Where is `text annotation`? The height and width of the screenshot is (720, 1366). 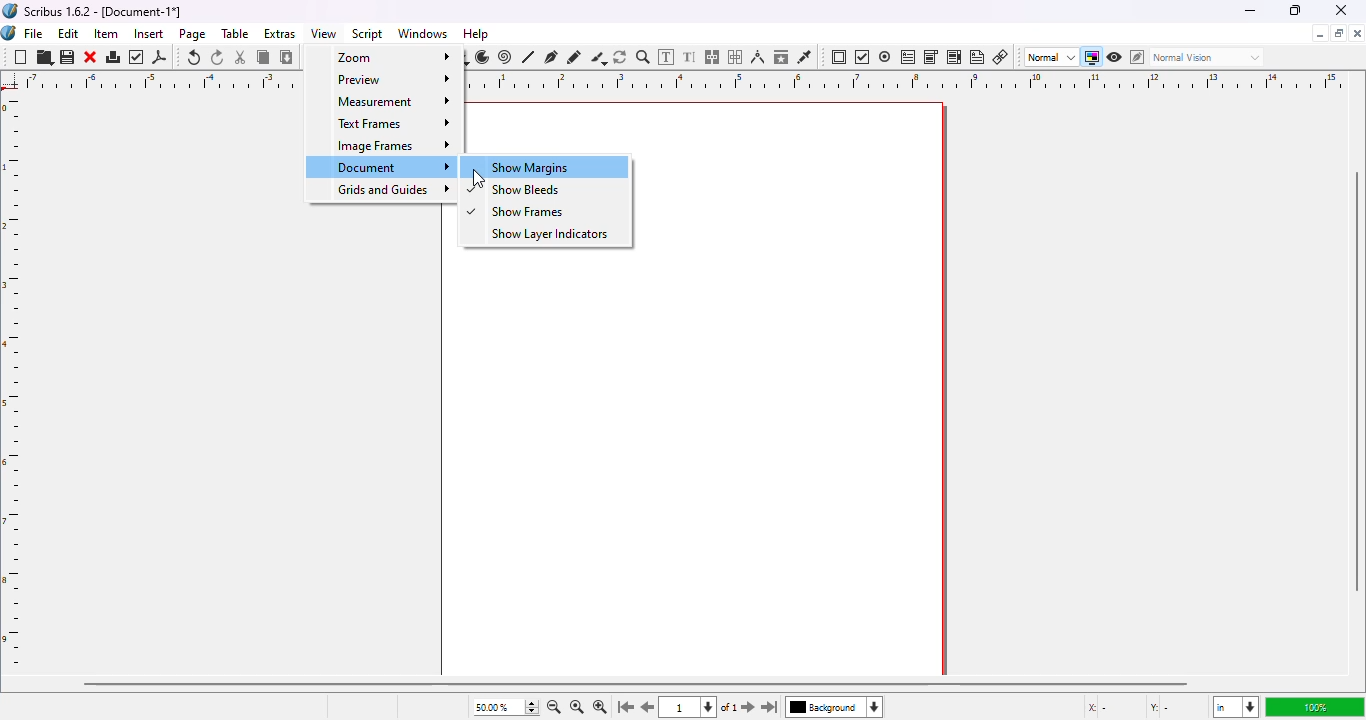 text annotation is located at coordinates (978, 57).